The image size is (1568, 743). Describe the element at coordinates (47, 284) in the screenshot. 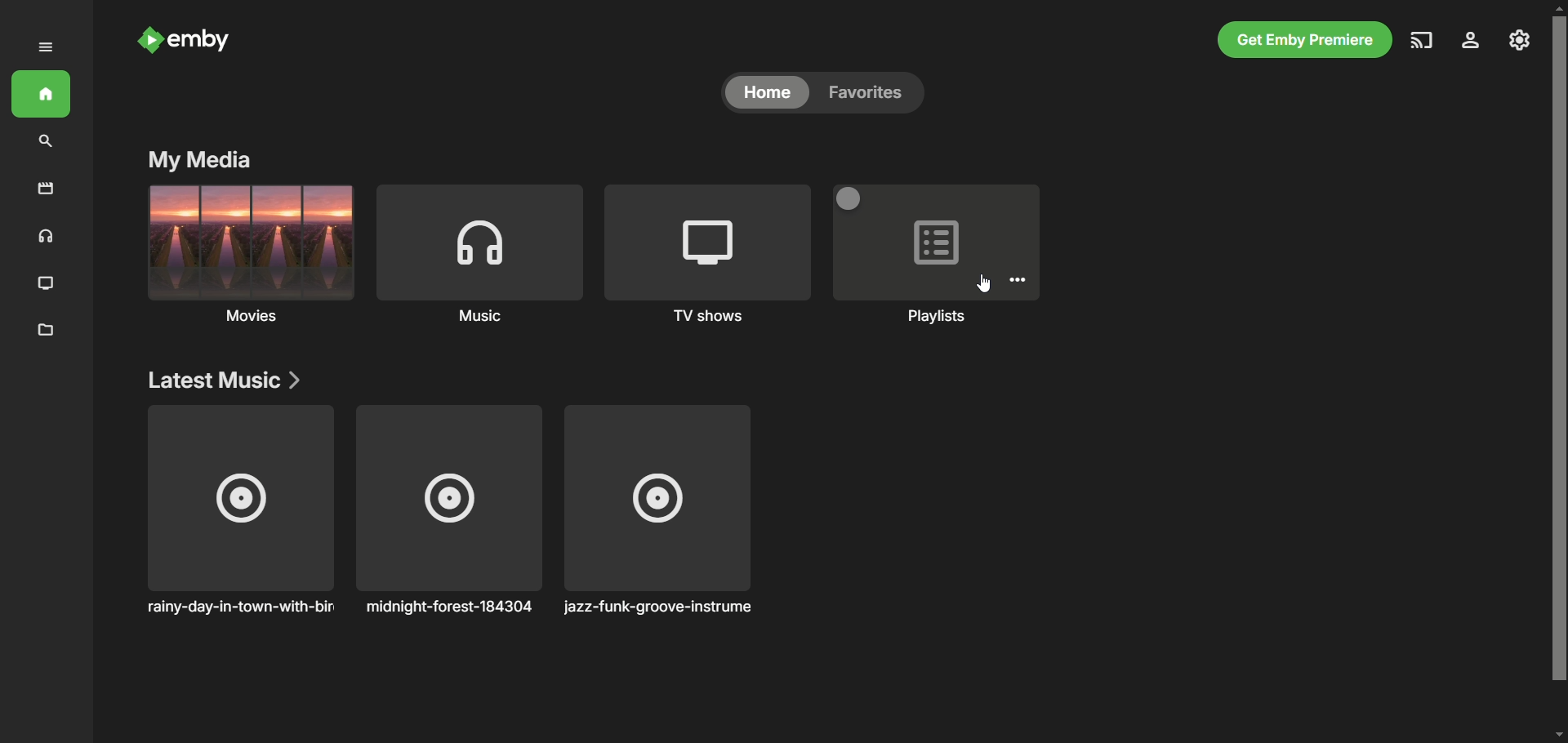

I see `TV shows` at that location.